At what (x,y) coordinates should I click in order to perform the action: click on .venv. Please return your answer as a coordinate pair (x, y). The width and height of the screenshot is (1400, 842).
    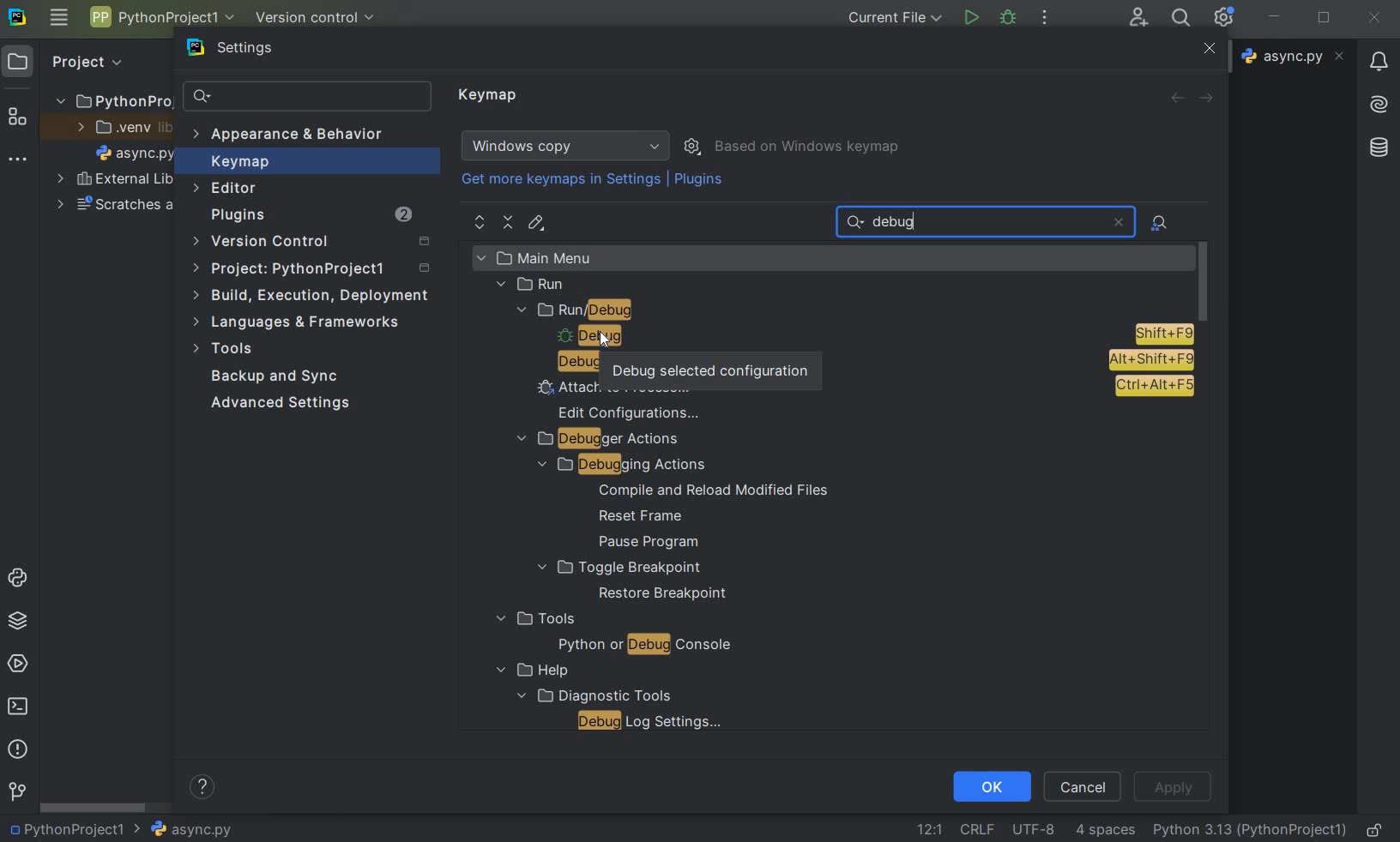
    Looking at the image, I should click on (124, 129).